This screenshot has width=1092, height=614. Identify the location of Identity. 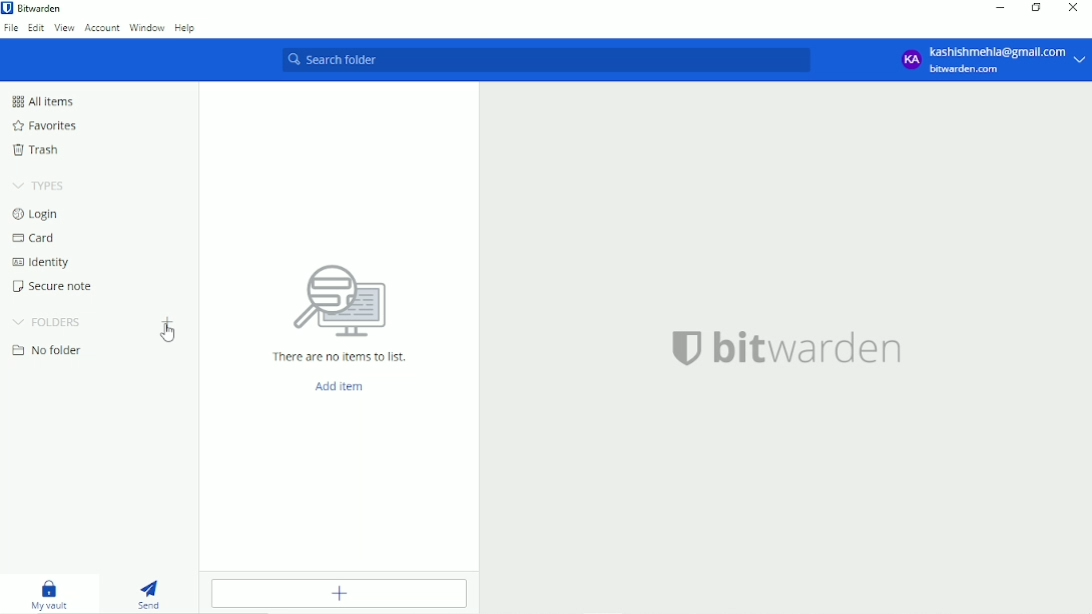
(46, 264).